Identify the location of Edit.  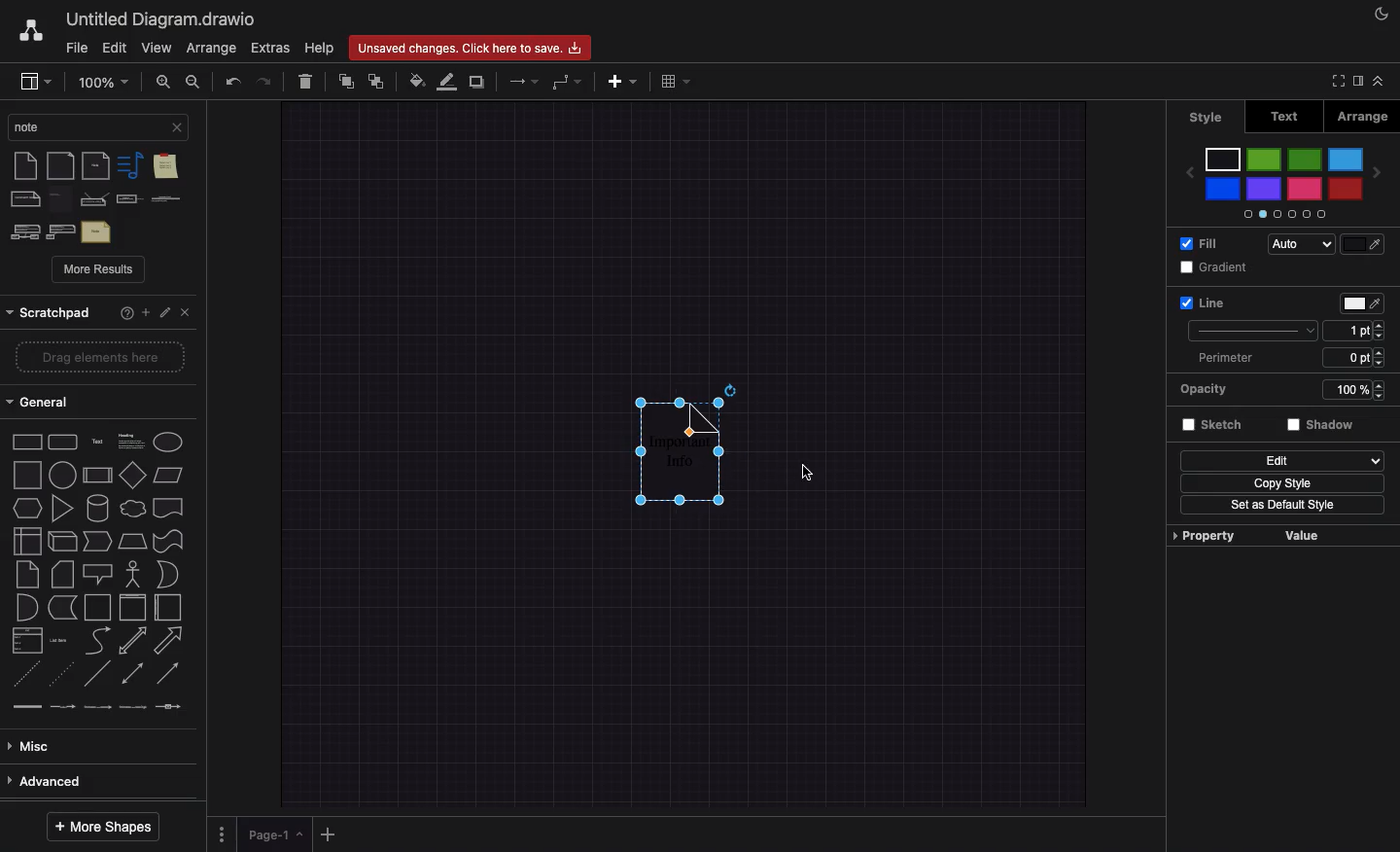
(166, 313).